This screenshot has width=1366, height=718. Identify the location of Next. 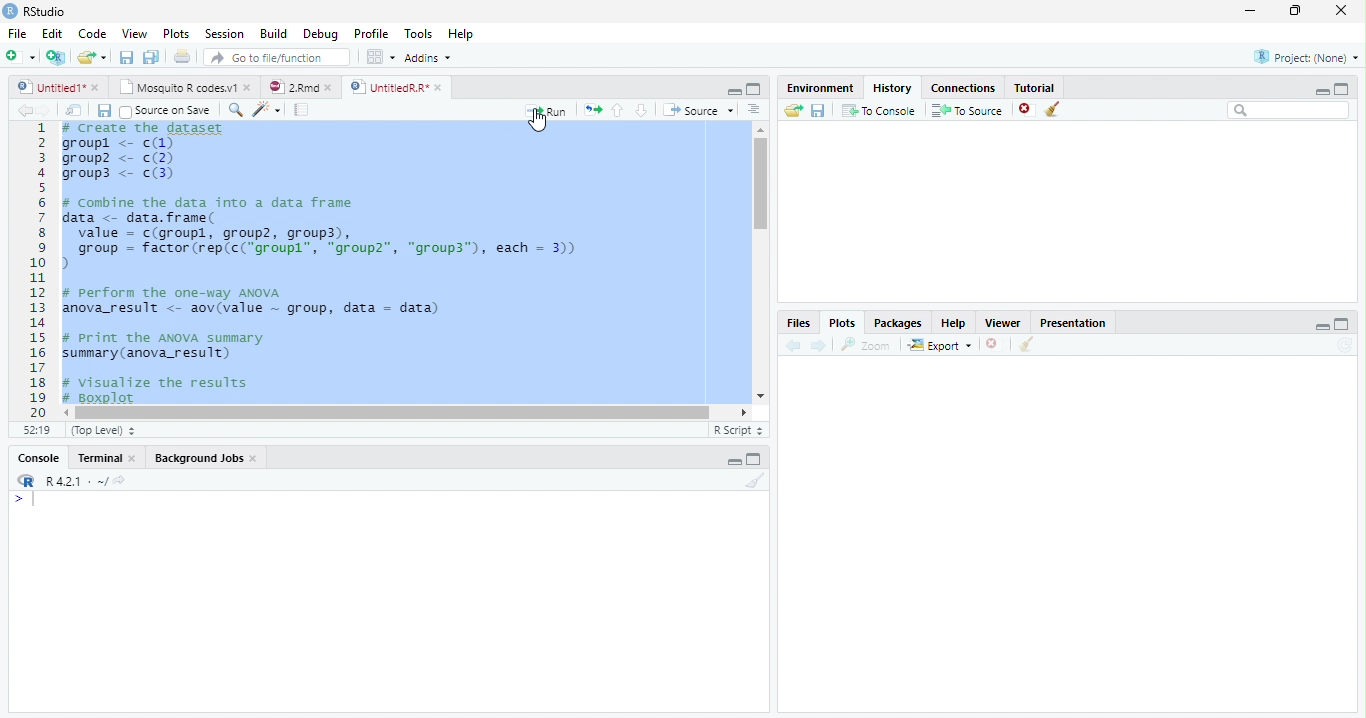
(819, 346).